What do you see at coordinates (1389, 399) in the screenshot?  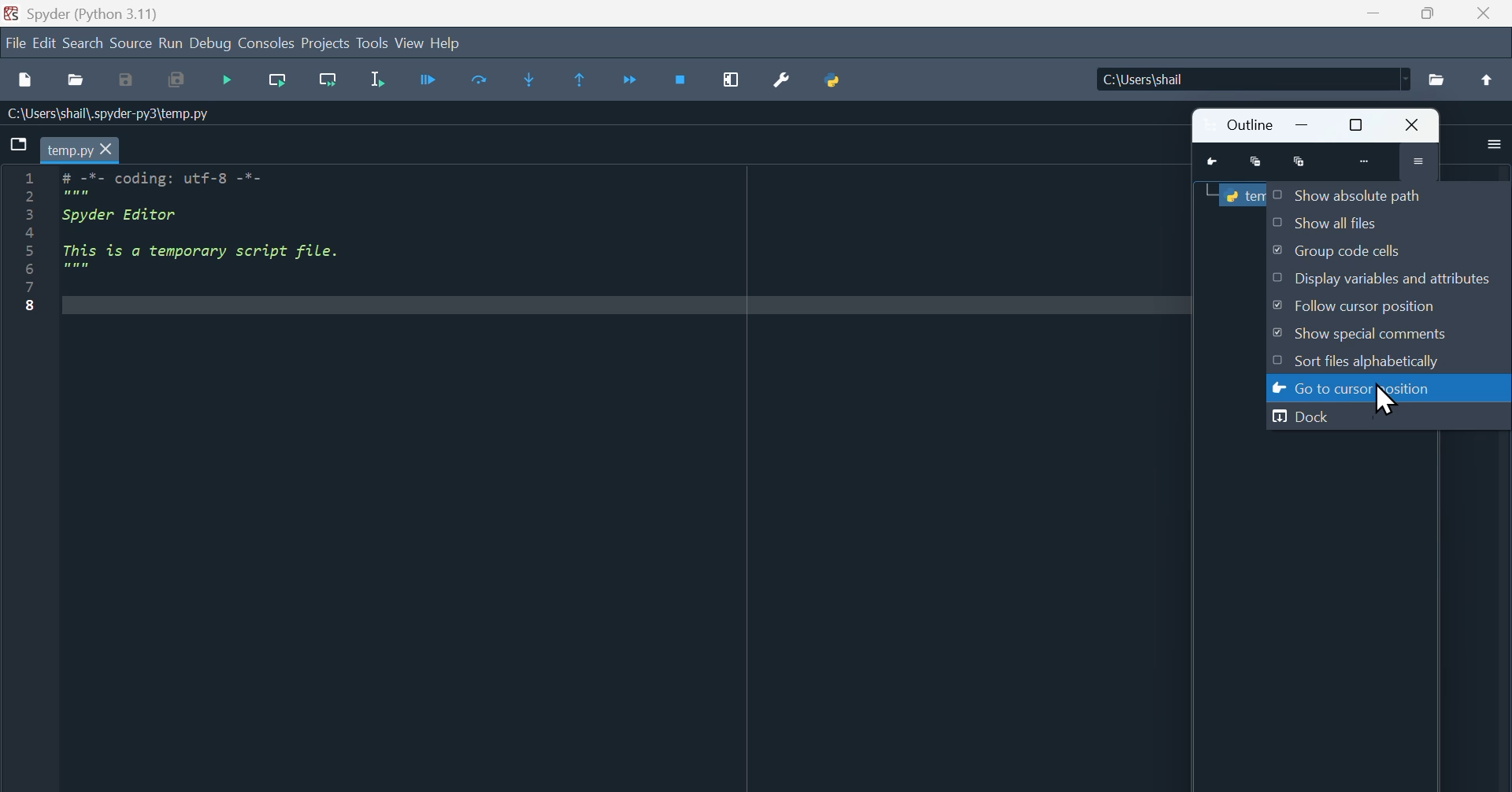 I see `Cursor` at bounding box center [1389, 399].